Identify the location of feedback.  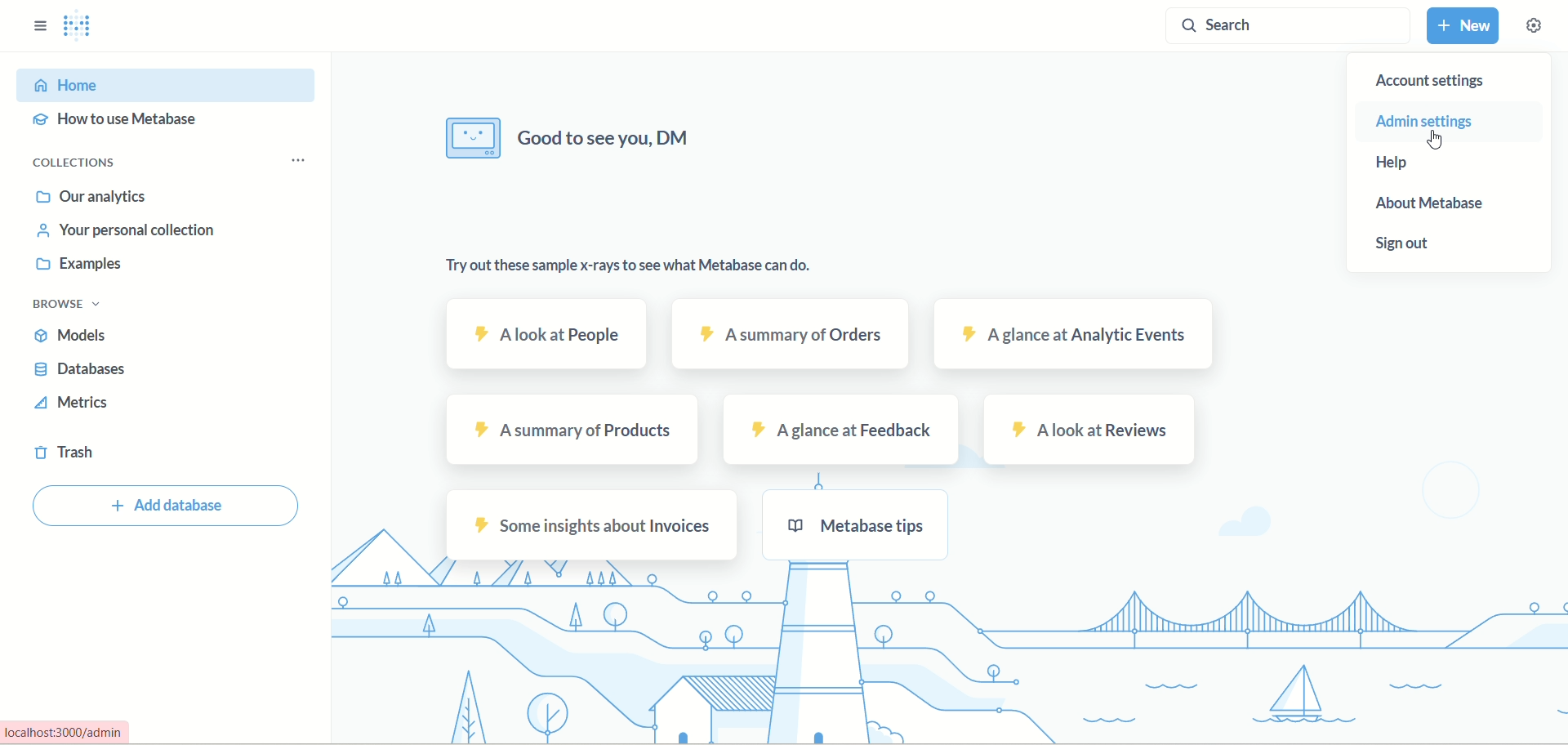
(845, 431).